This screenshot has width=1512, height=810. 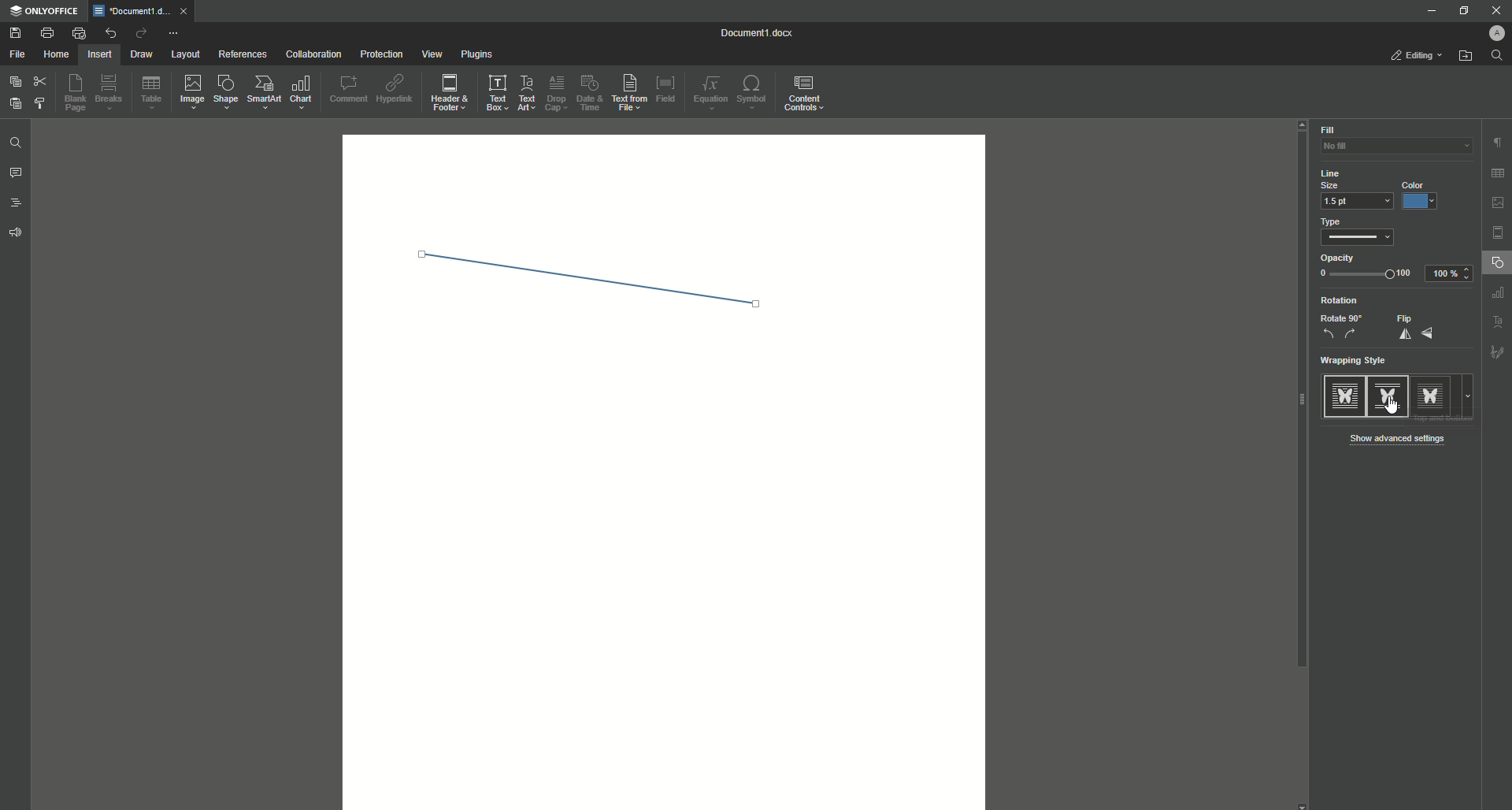 What do you see at coordinates (592, 93) in the screenshot?
I see `Date and Time` at bounding box center [592, 93].